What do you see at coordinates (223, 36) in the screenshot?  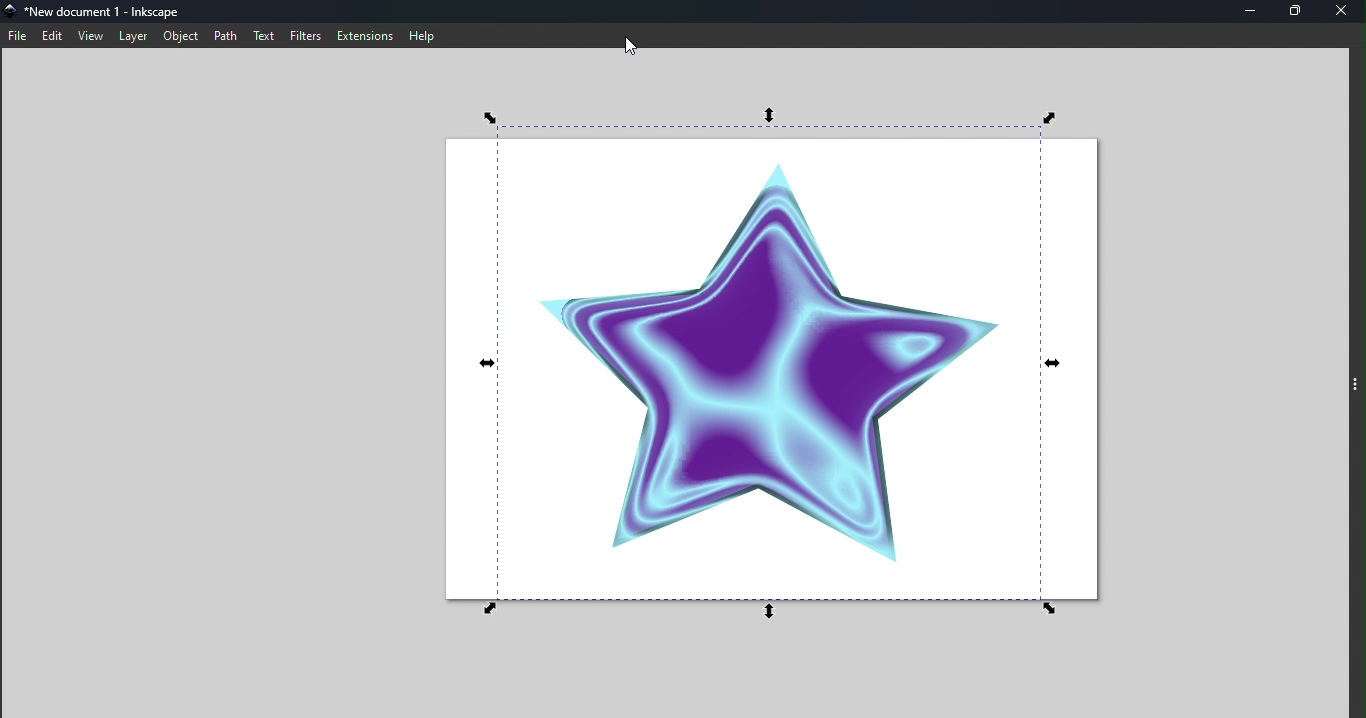 I see `Path` at bounding box center [223, 36].